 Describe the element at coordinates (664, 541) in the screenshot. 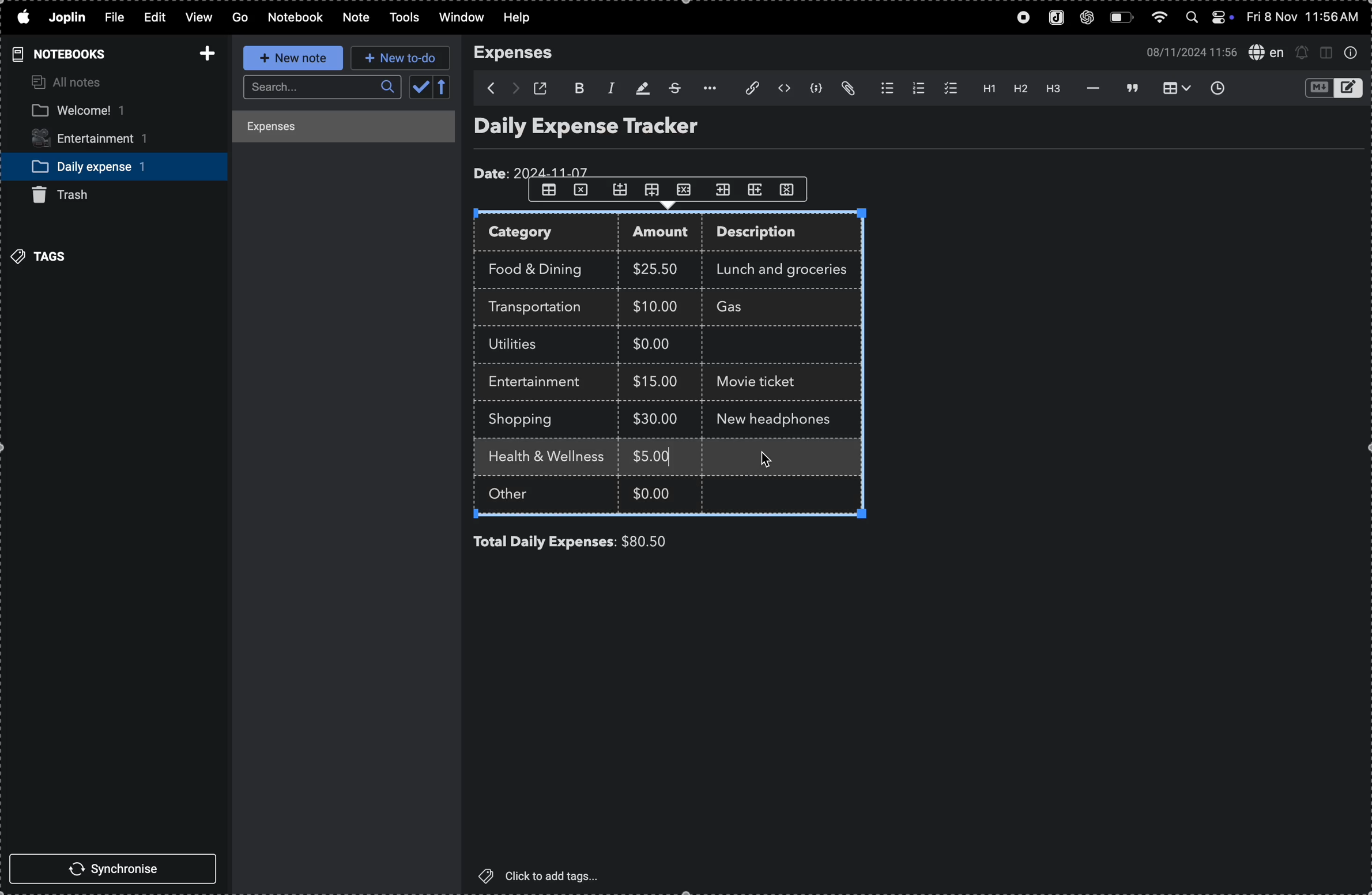

I see `$80.00` at that location.